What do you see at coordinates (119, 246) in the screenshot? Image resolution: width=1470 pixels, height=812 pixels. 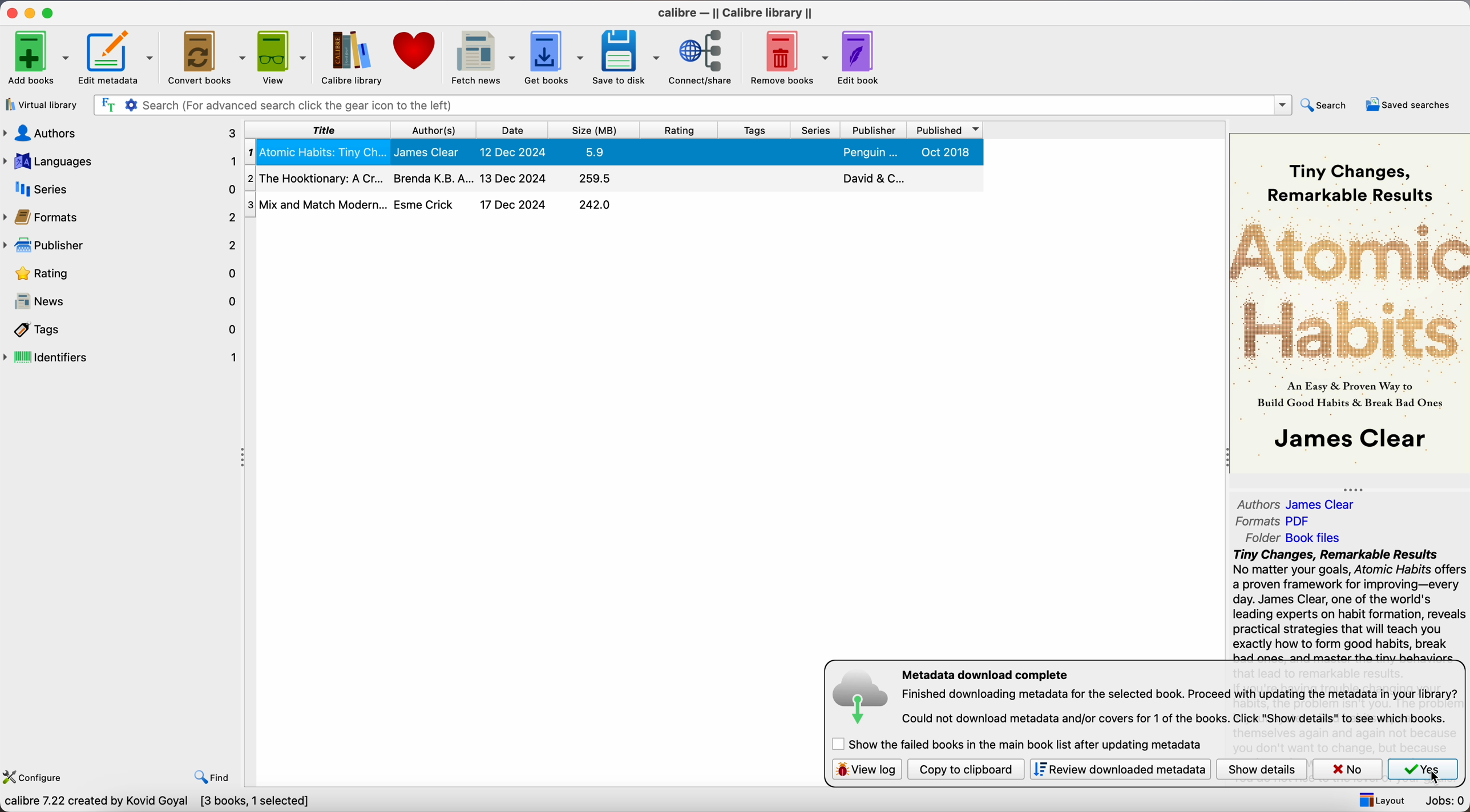 I see `publisher` at bounding box center [119, 246].